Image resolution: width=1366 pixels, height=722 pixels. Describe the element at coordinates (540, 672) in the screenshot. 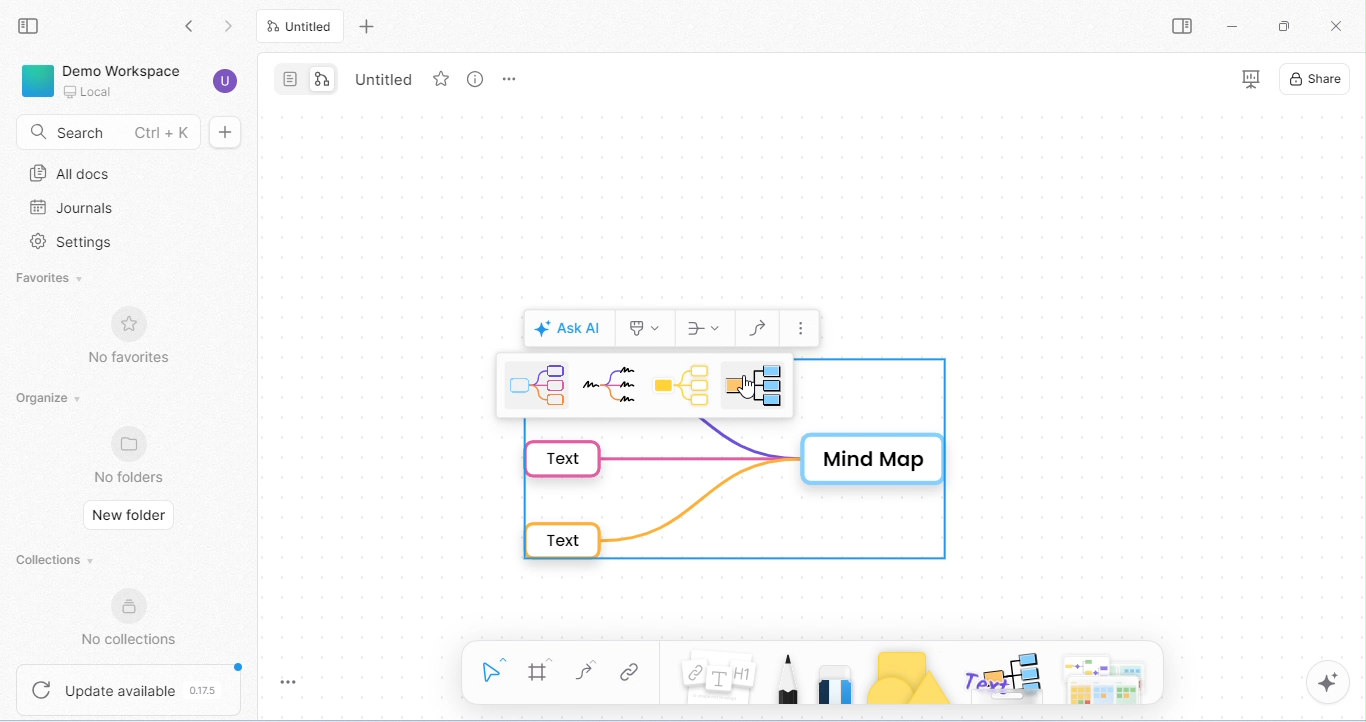

I see `frame` at that location.